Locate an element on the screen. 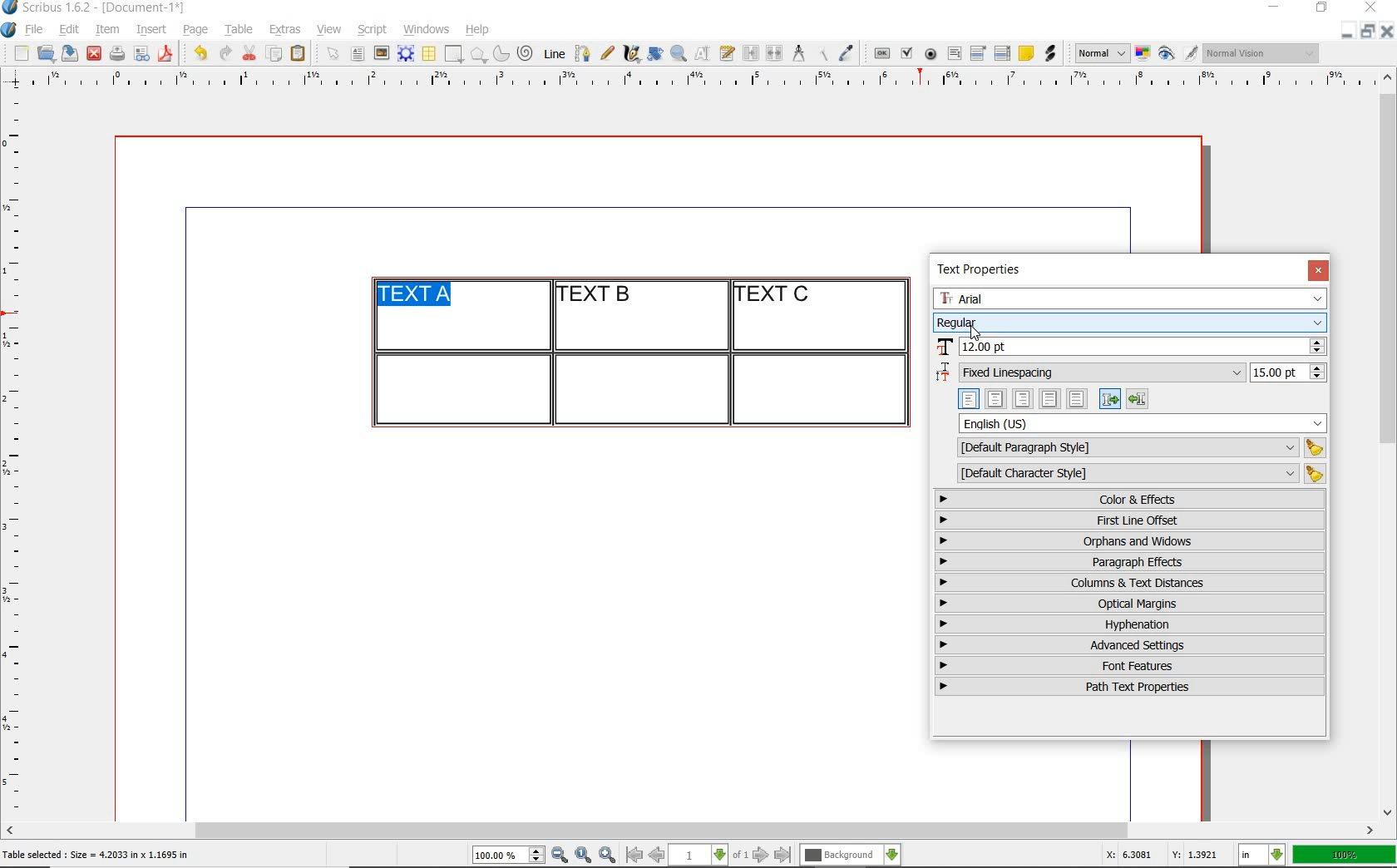 The image size is (1397, 868). rotate item is located at coordinates (655, 53).